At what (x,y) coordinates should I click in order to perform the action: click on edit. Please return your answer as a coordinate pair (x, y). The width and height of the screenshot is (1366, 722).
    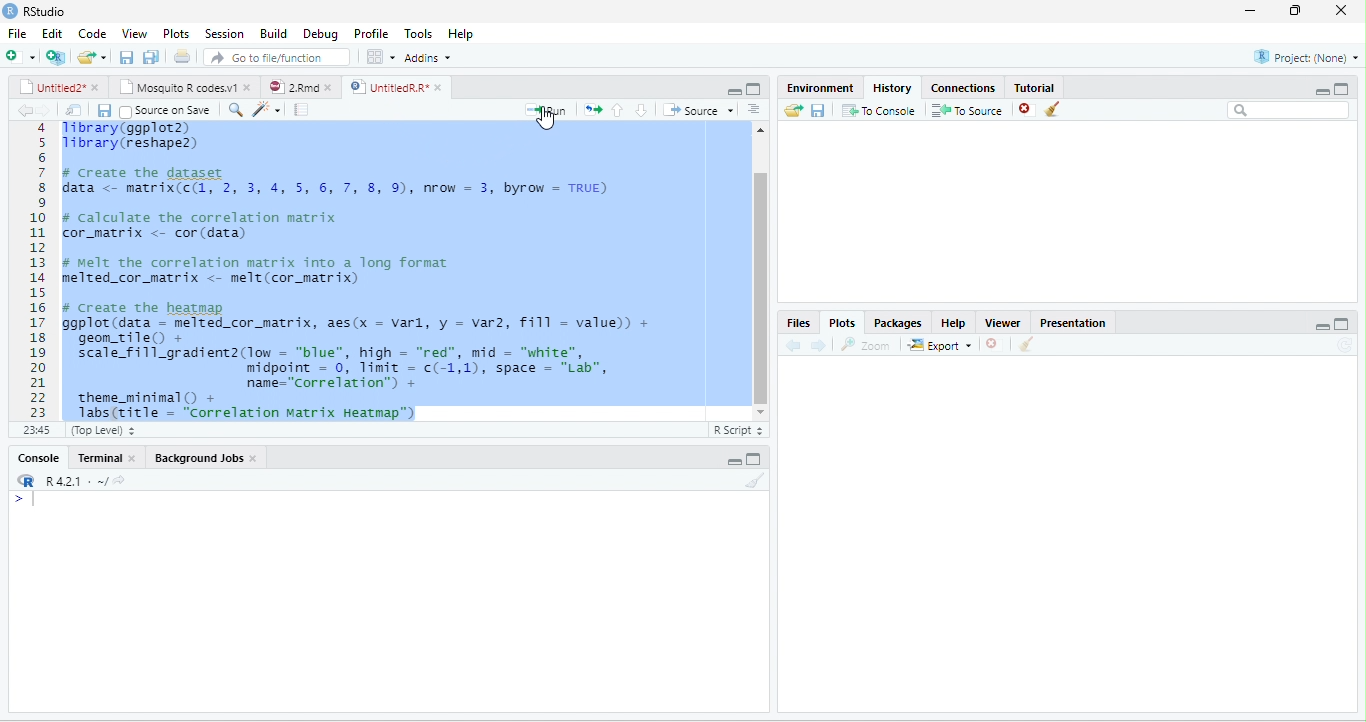
    Looking at the image, I should click on (52, 34).